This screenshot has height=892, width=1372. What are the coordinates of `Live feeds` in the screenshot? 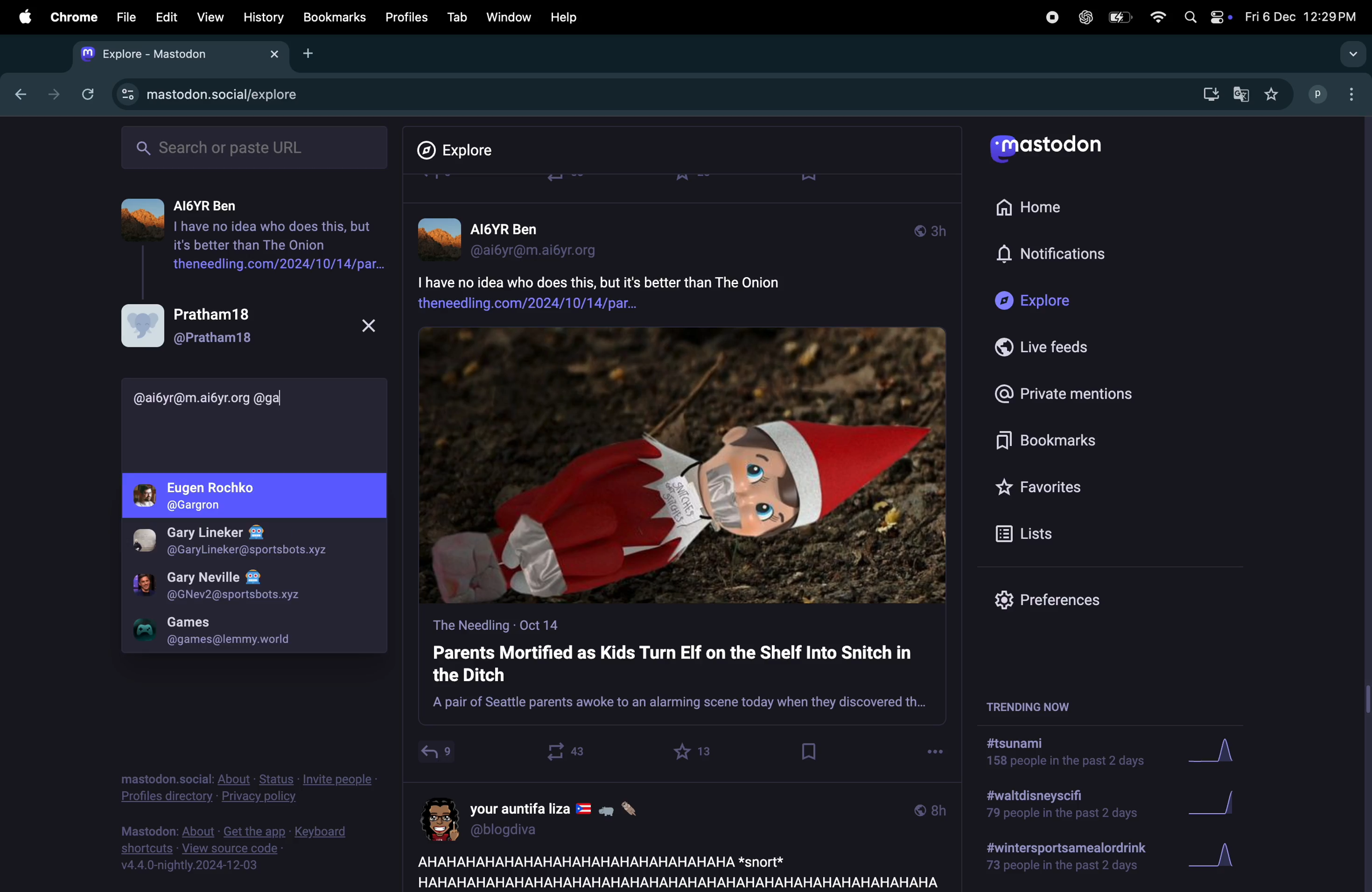 It's located at (1051, 347).